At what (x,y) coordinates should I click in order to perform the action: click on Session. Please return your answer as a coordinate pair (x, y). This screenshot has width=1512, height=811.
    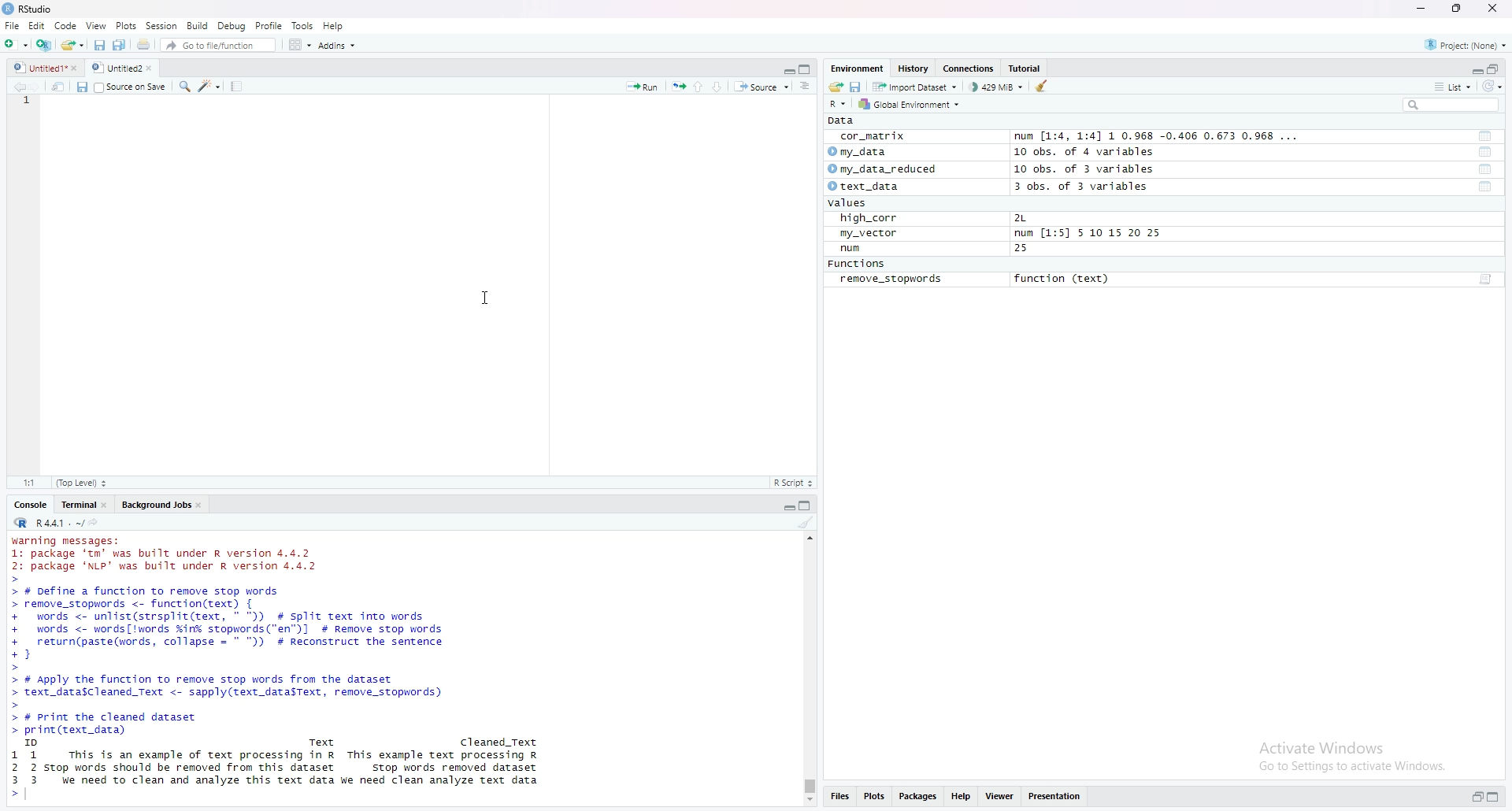
    Looking at the image, I should click on (162, 25).